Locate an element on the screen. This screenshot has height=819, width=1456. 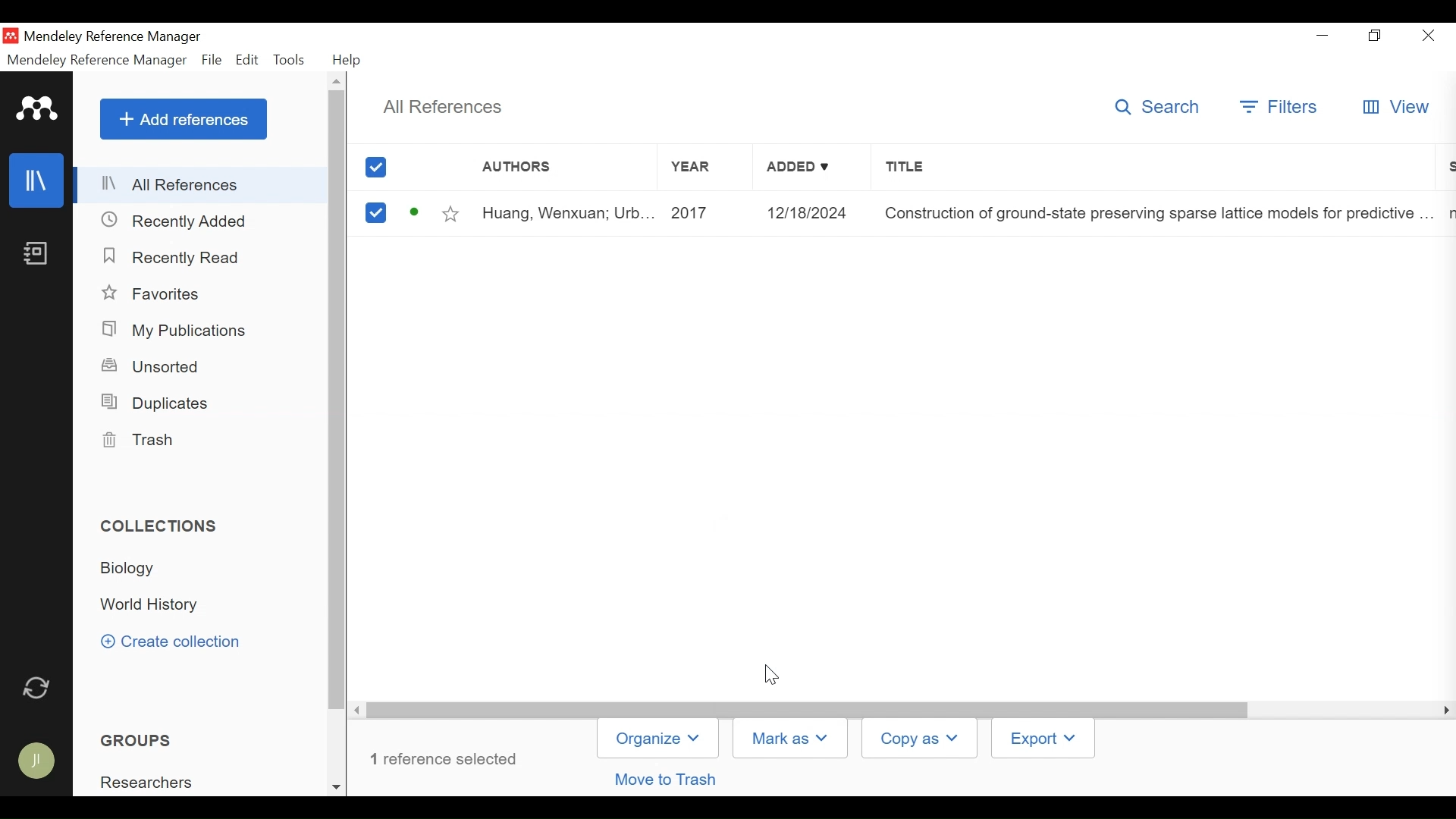
All References is located at coordinates (201, 186).